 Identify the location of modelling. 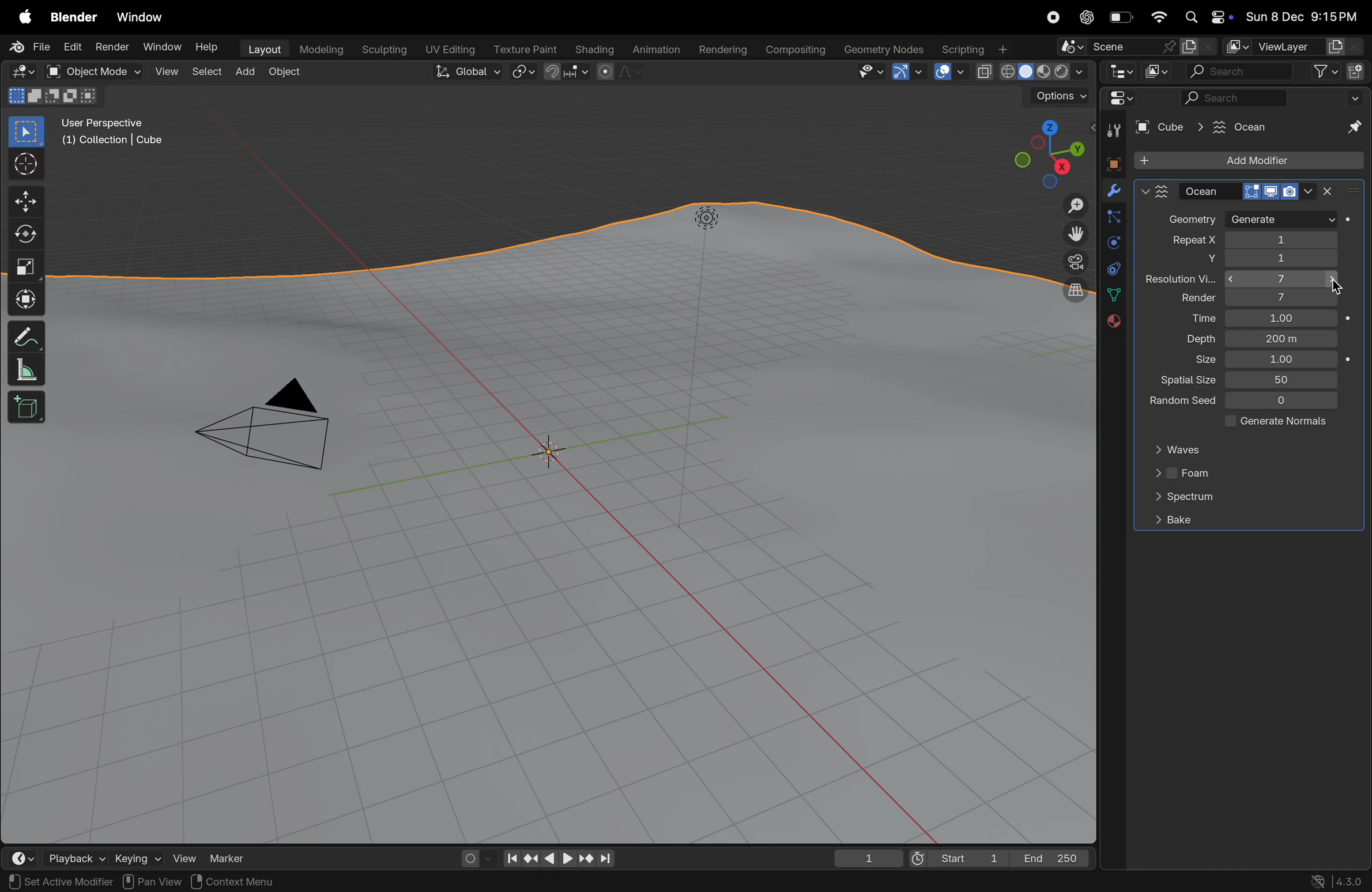
(322, 48).